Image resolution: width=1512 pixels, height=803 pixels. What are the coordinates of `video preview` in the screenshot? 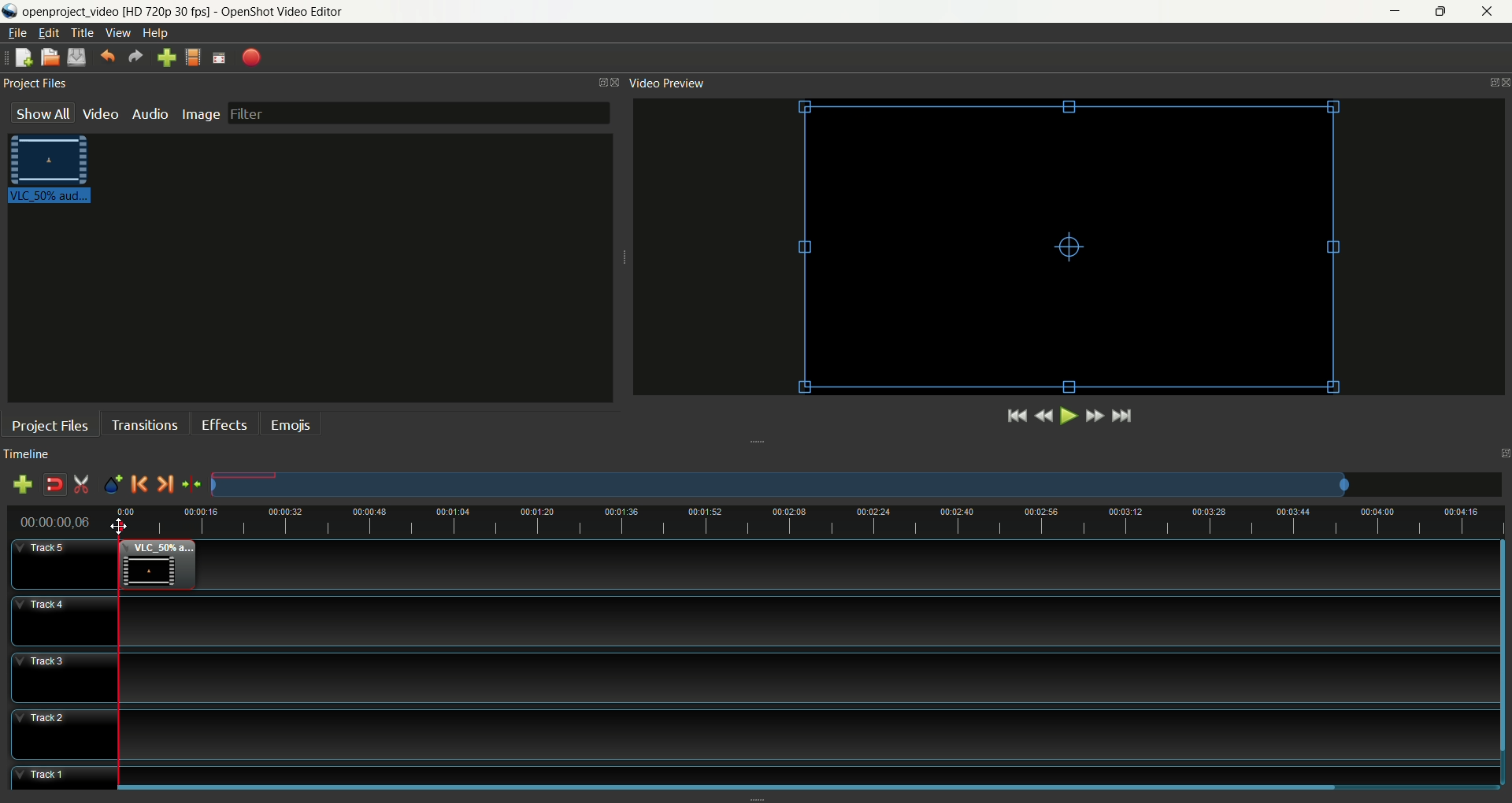 It's located at (665, 83).